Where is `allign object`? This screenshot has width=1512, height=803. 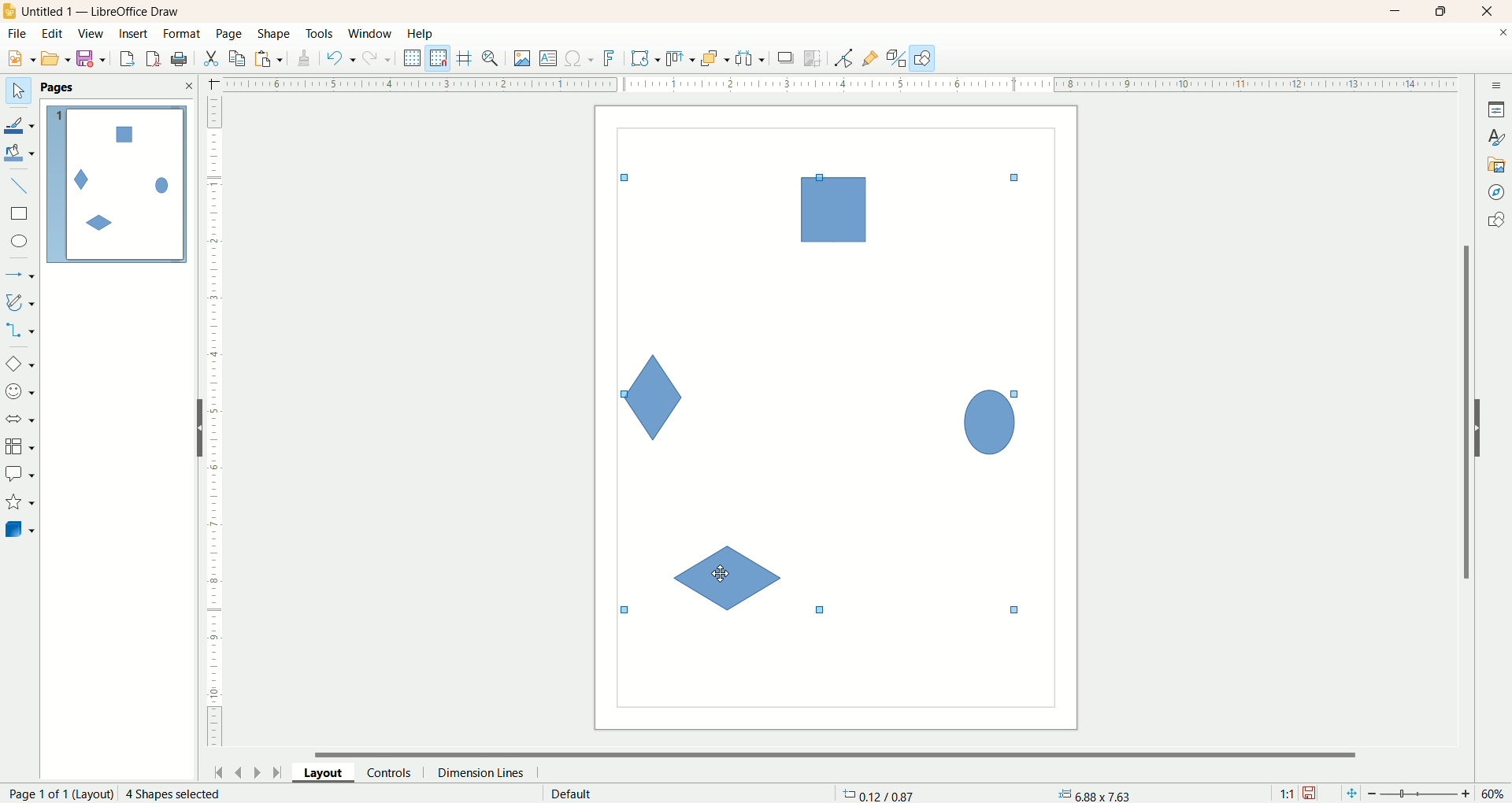 allign object is located at coordinates (681, 59).